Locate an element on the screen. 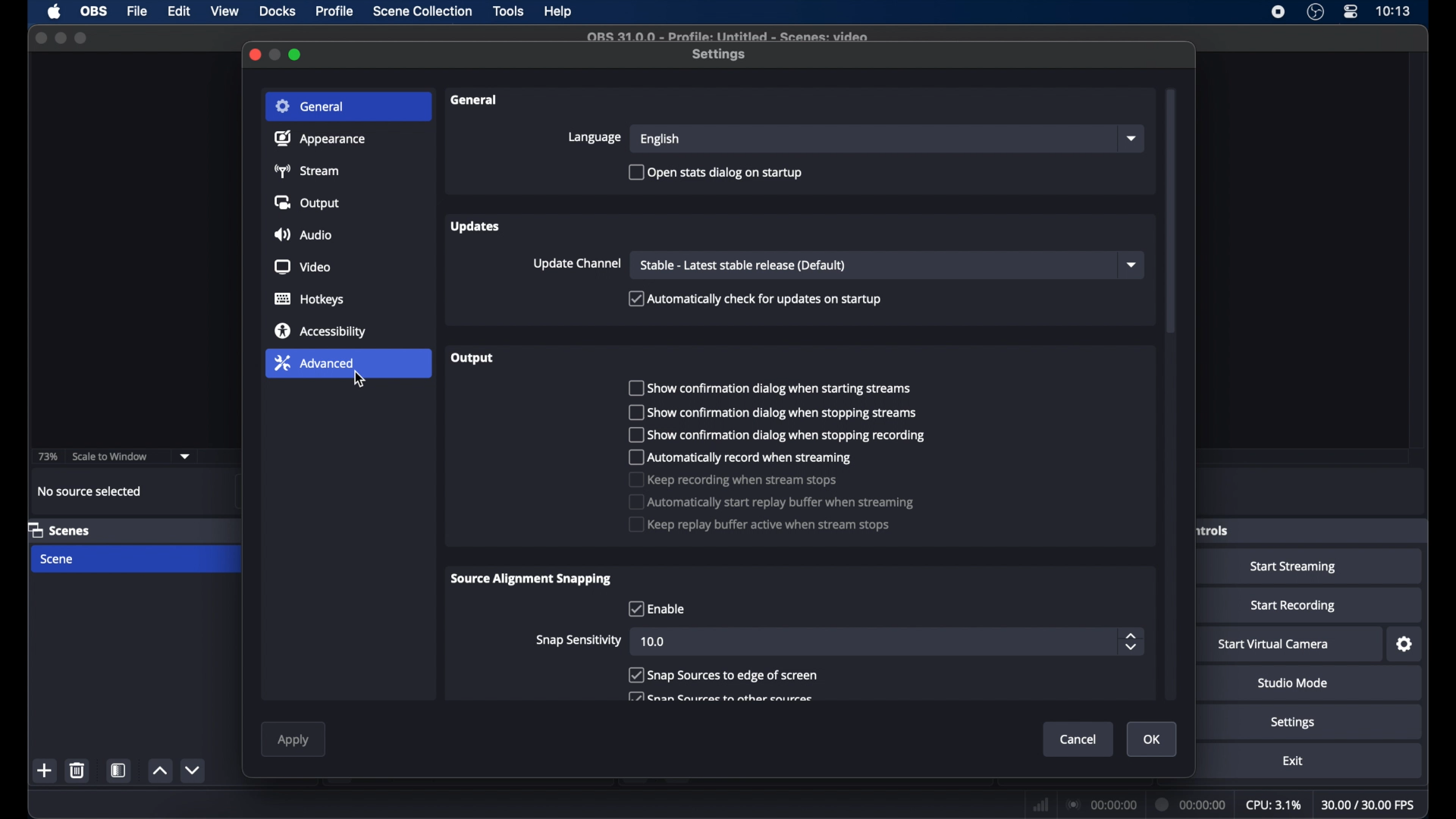 This screenshot has height=819, width=1456. decrement is located at coordinates (192, 770).